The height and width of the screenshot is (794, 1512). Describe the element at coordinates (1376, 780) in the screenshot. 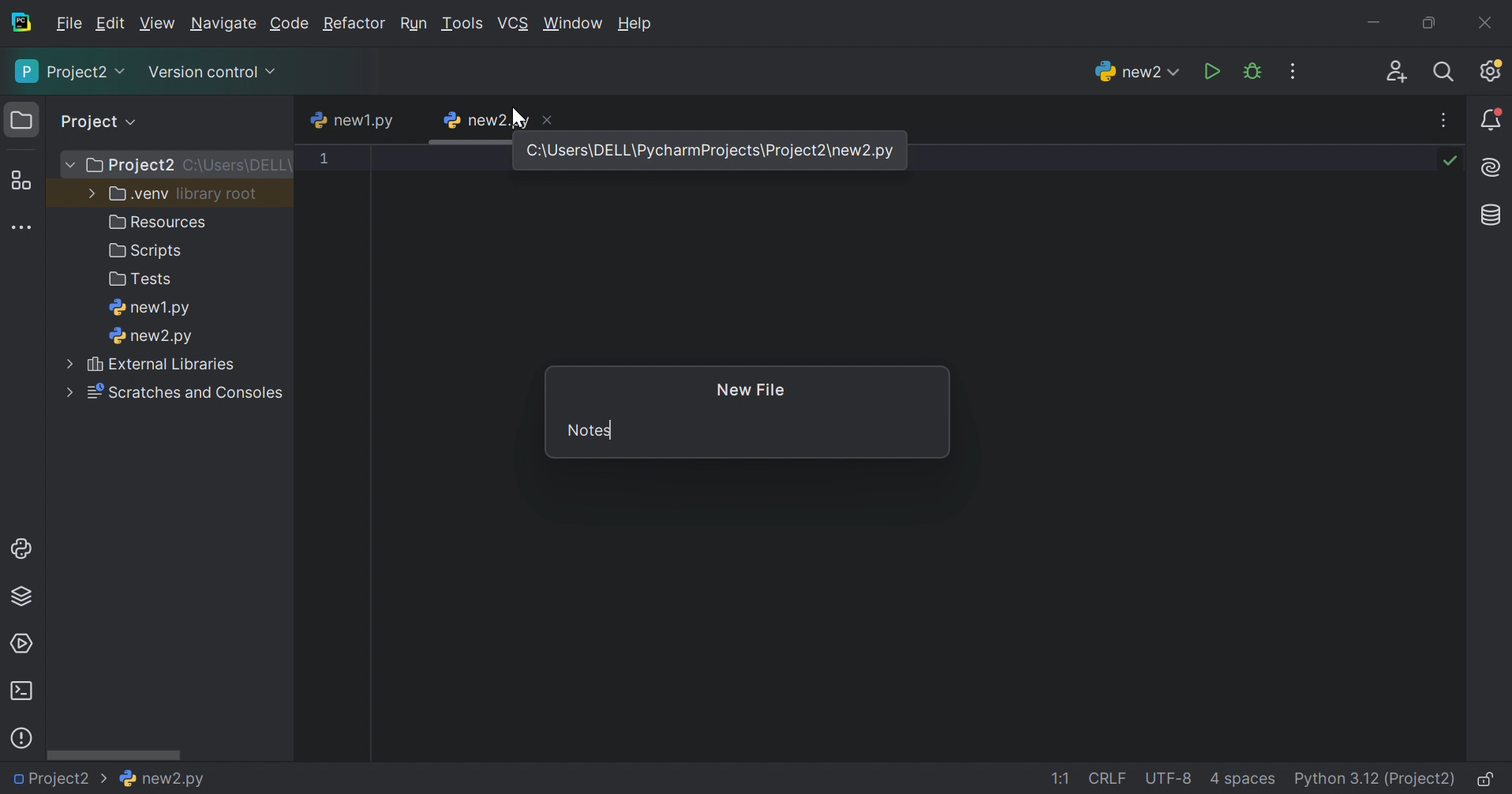

I see `Python 3:12 (Project2)` at that location.